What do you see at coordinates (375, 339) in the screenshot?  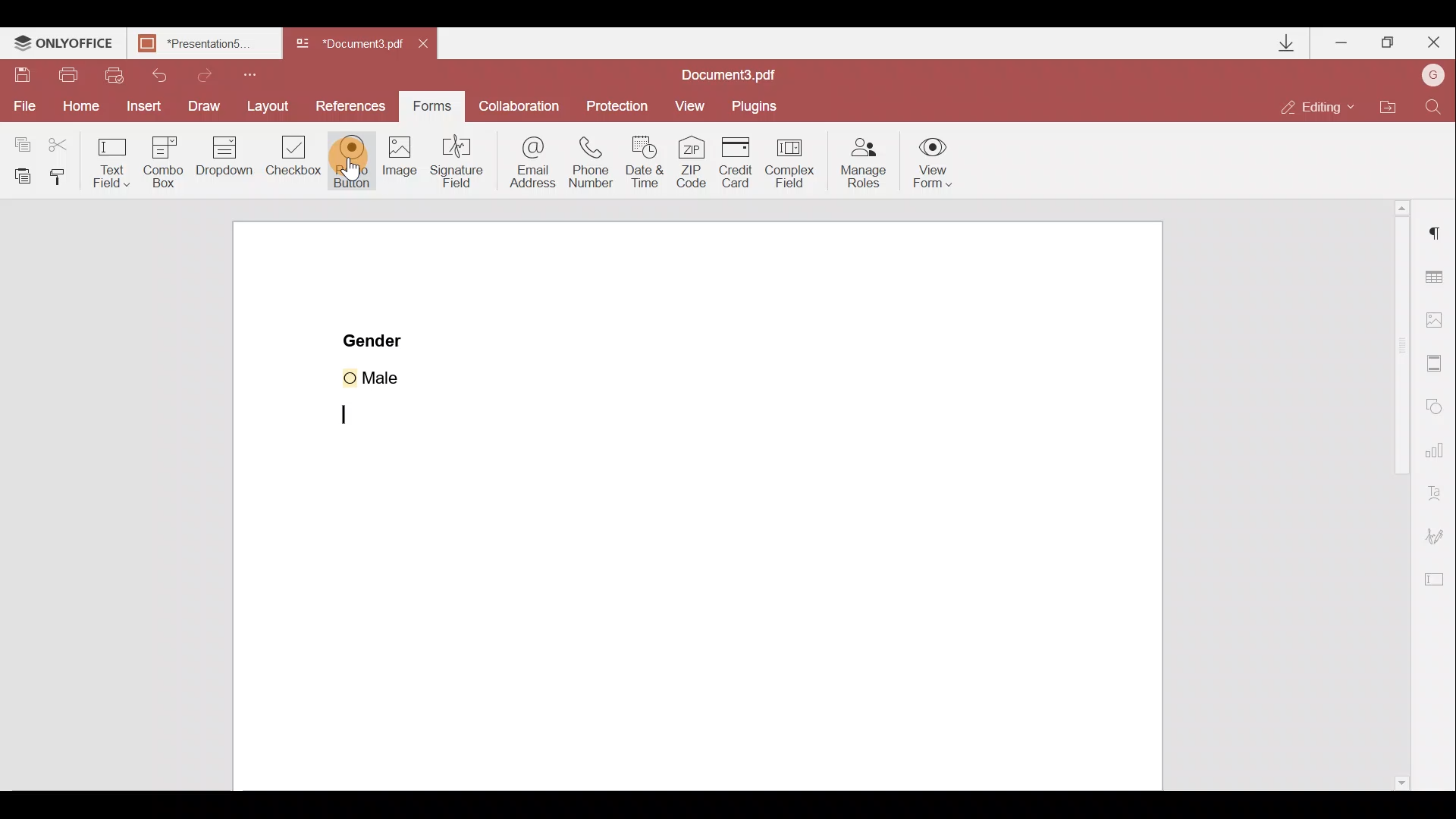 I see `Gender` at bounding box center [375, 339].